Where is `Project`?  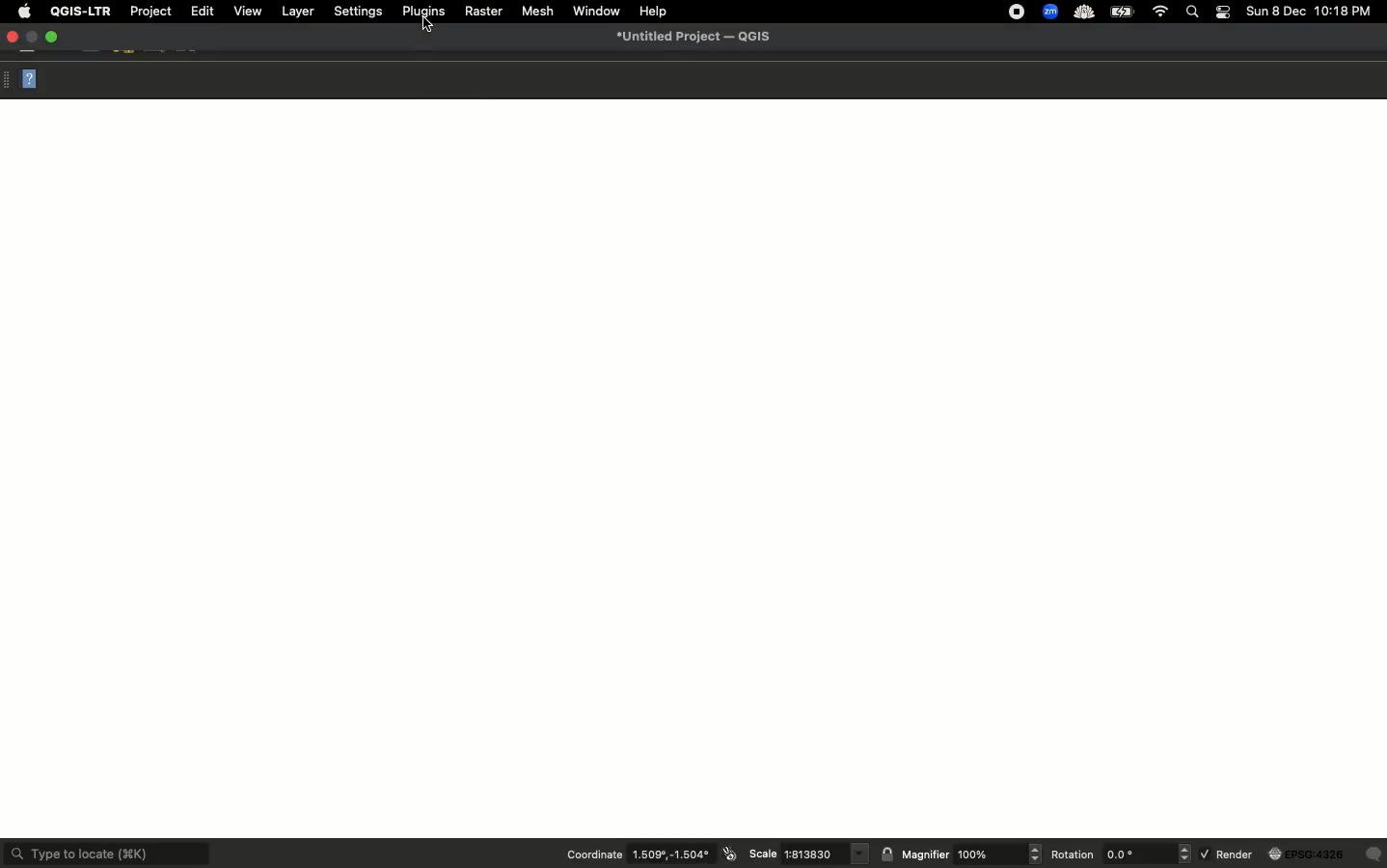
Project is located at coordinates (150, 11).